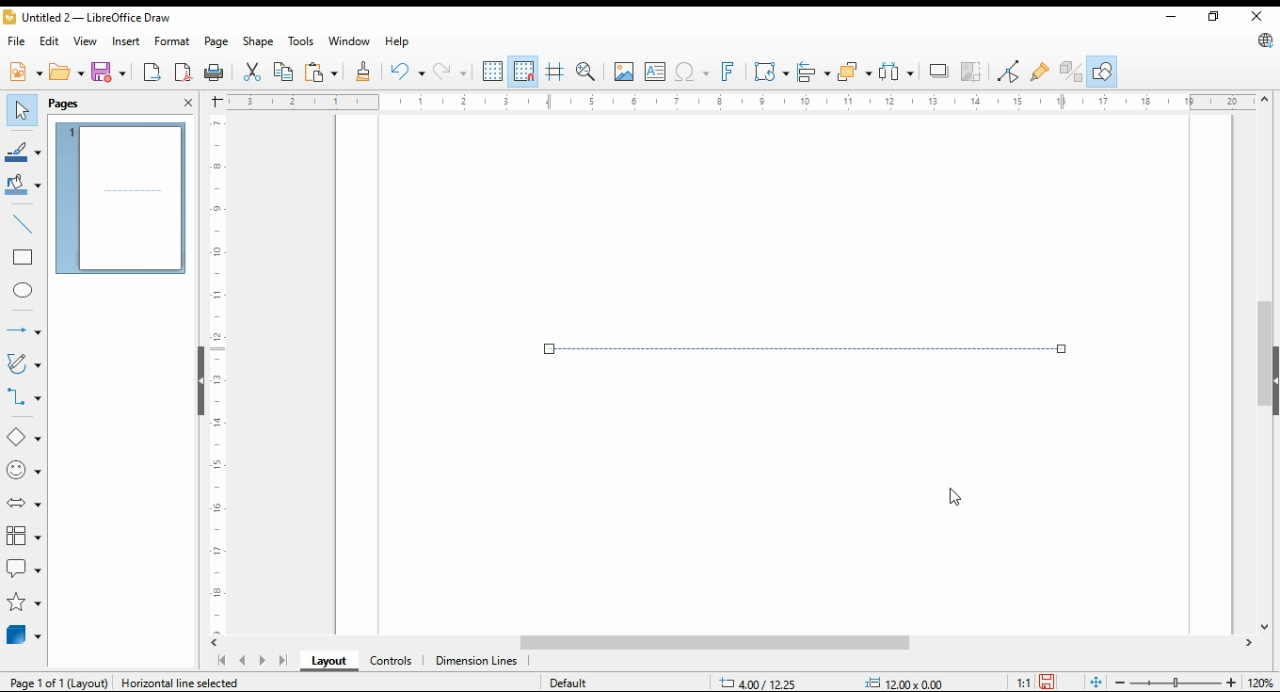 Image resolution: width=1280 pixels, height=692 pixels. Describe the element at coordinates (810, 70) in the screenshot. I see `align objects` at that location.